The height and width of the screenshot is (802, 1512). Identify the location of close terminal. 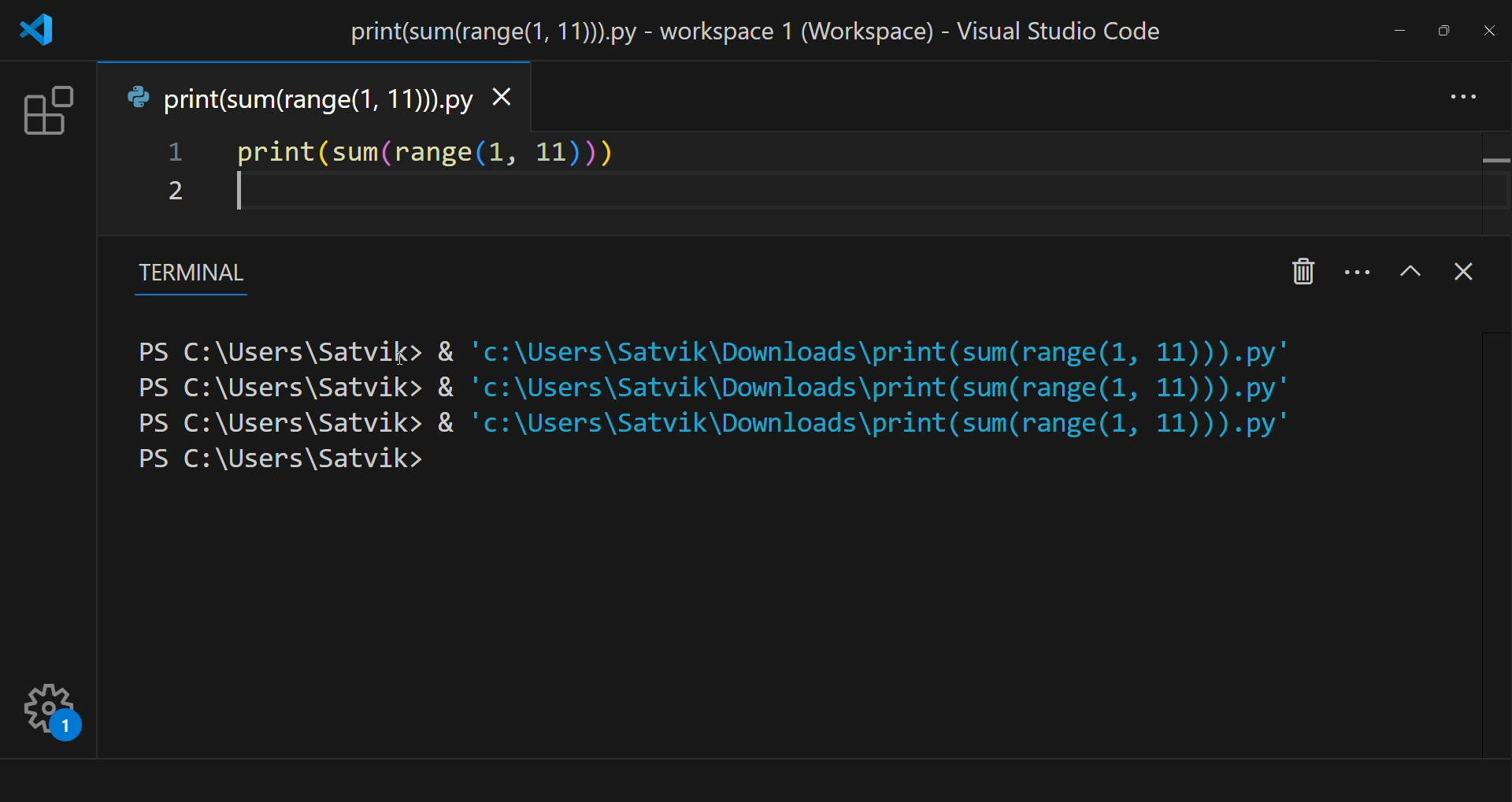
(1467, 273).